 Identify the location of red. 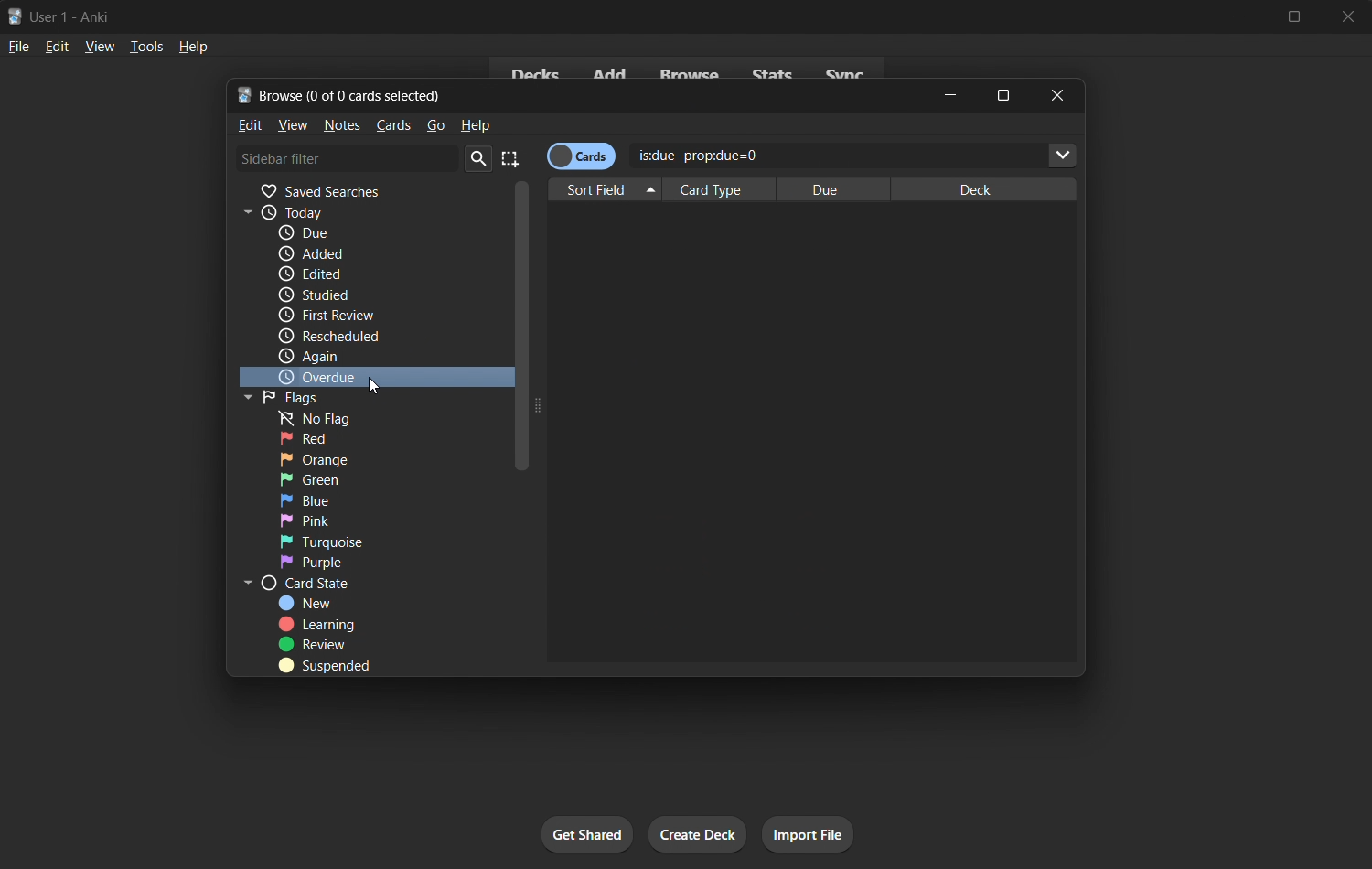
(330, 439).